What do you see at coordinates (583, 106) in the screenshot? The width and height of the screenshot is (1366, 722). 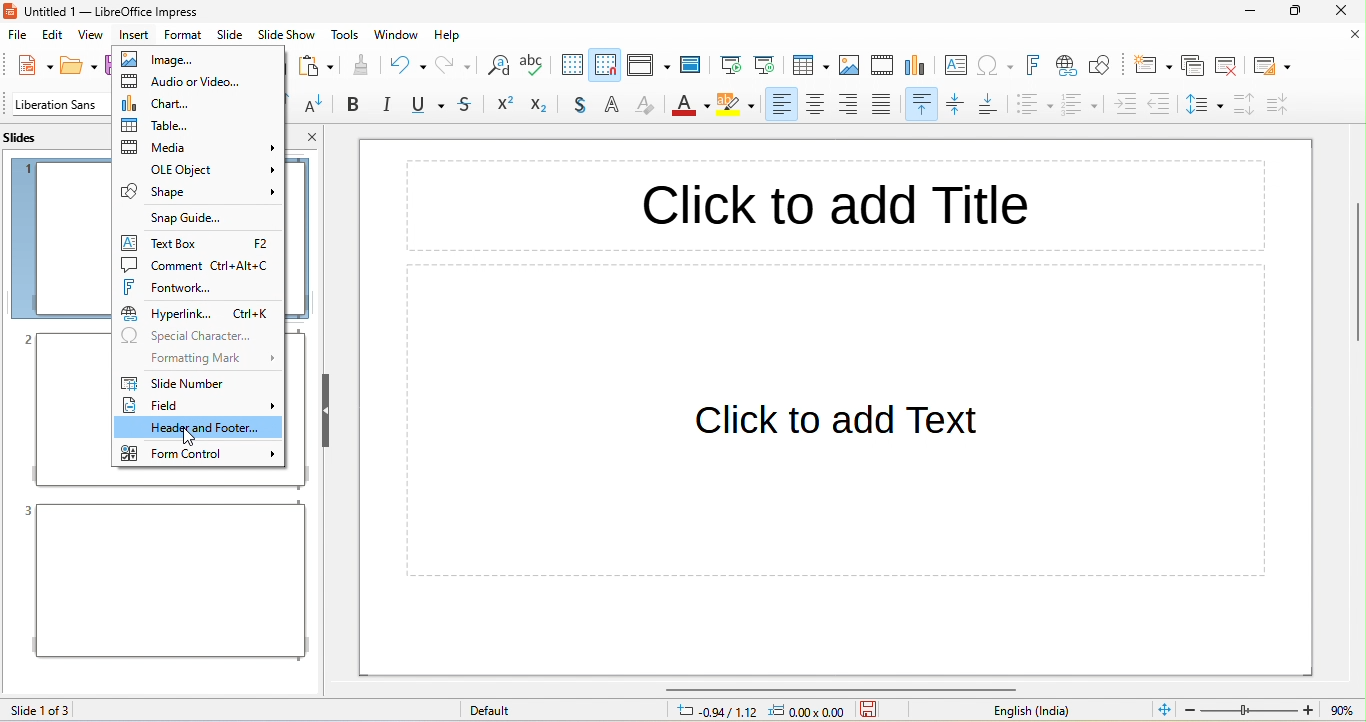 I see `shadow` at bounding box center [583, 106].